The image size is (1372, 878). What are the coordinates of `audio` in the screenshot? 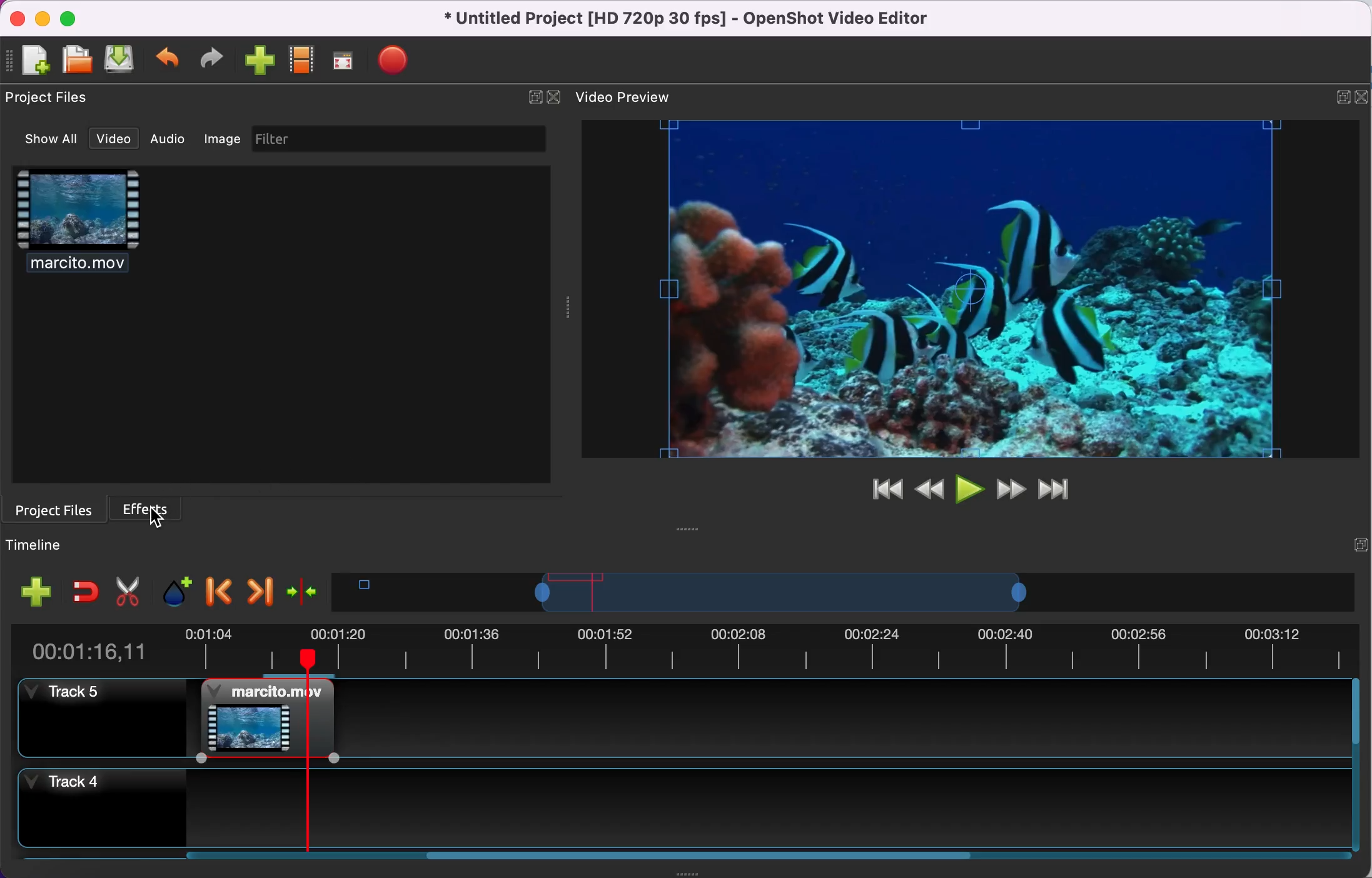 It's located at (166, 141).